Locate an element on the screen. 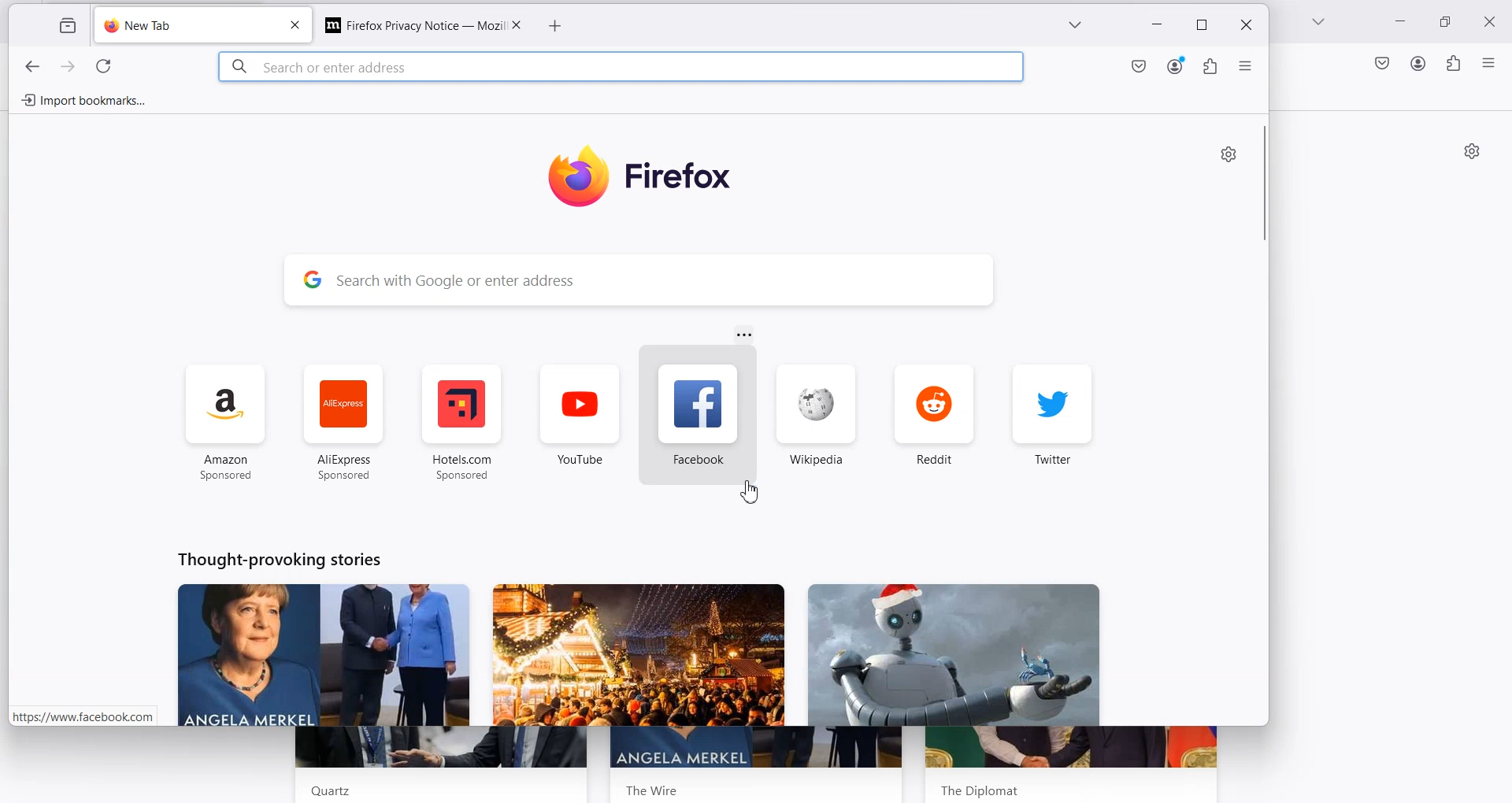 Image resolution: width=1512 pixels, height=803 pixels. News is located at coordinates (317, 654).